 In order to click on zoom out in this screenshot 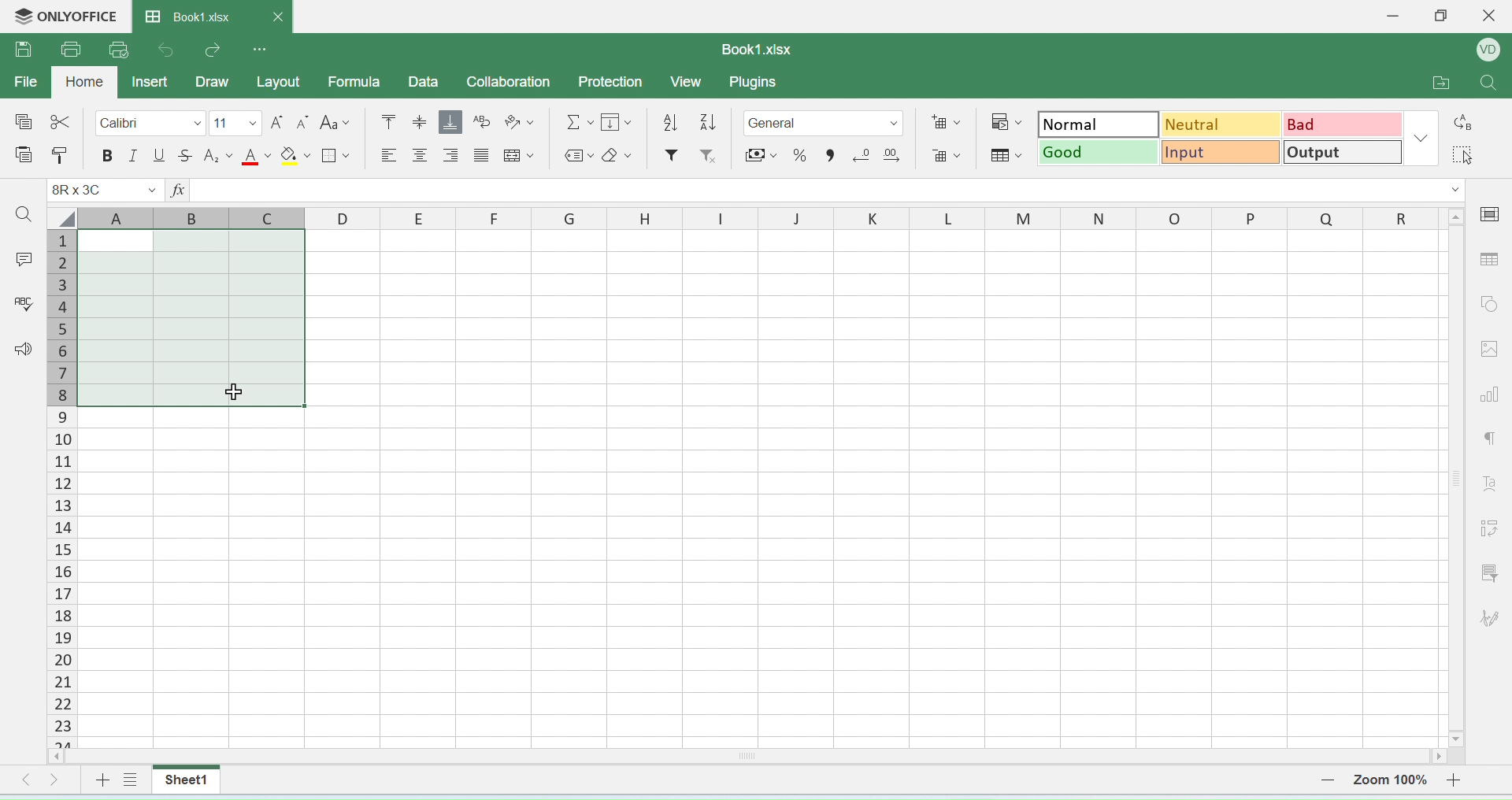, I will do `click(1325, 779)`.